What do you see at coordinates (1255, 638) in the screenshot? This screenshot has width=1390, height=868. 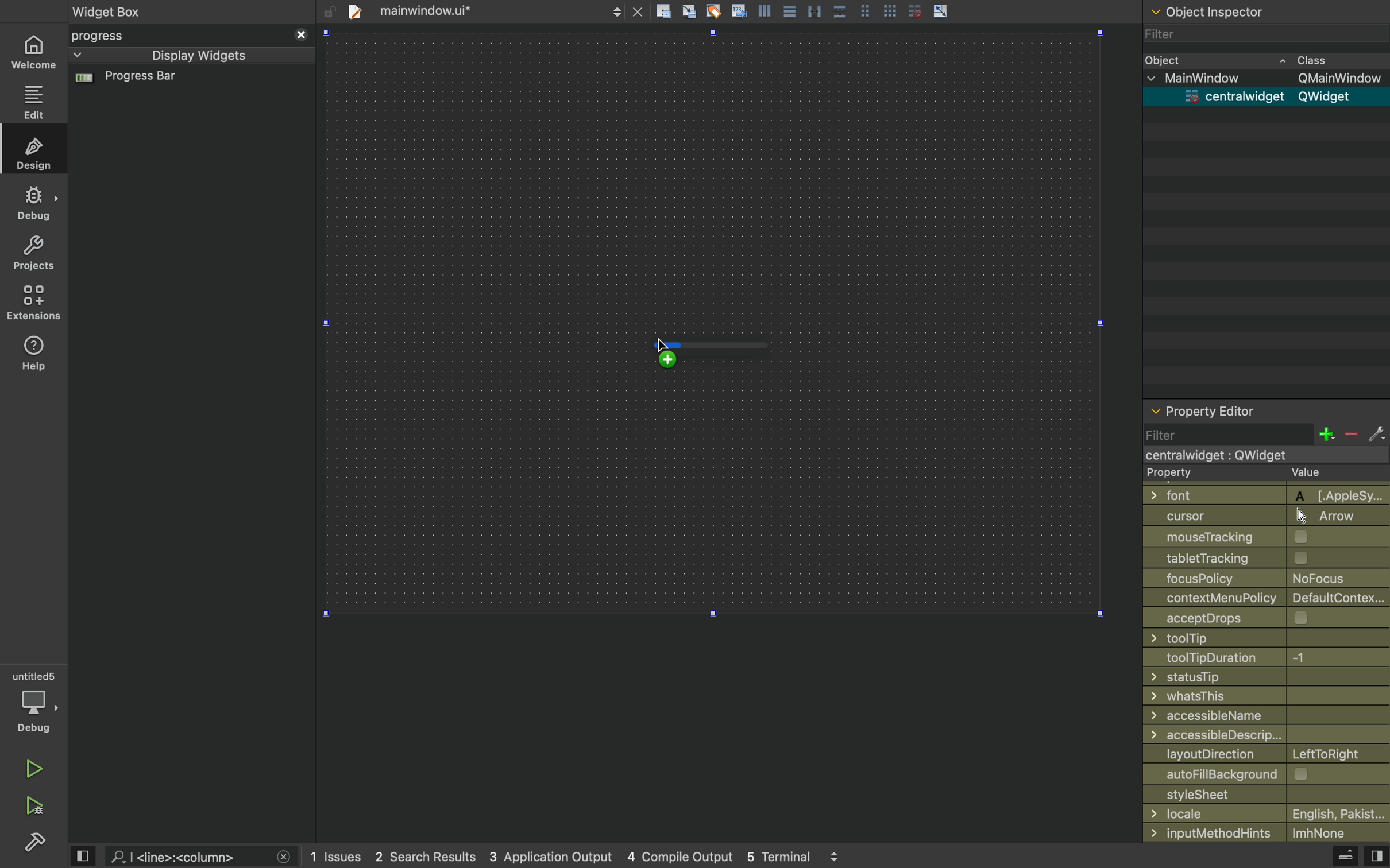 I see `tooltip` at bounding box center [1255, 638].